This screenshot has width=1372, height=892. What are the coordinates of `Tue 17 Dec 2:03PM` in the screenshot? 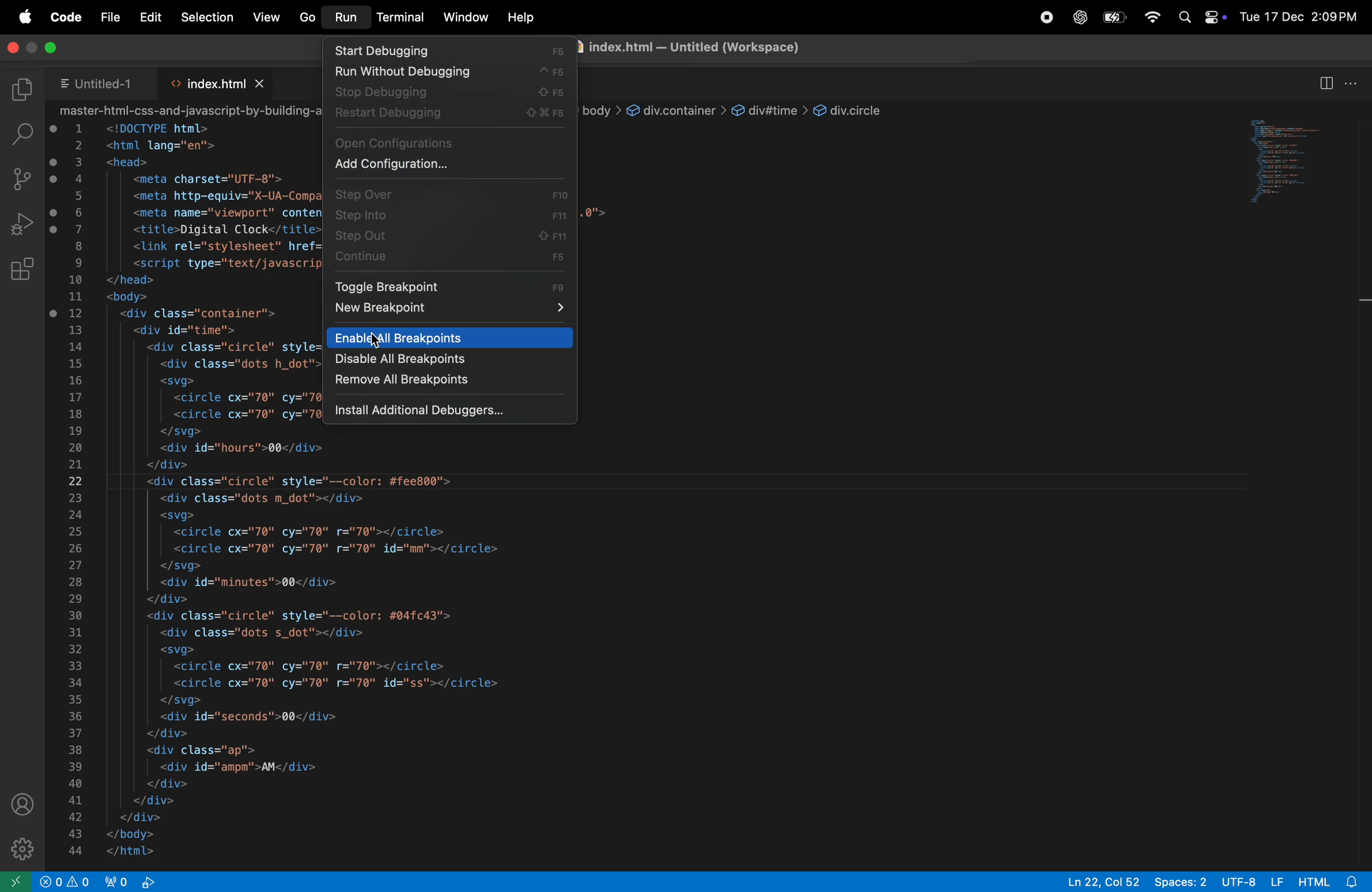 It's located at (1297, 18).